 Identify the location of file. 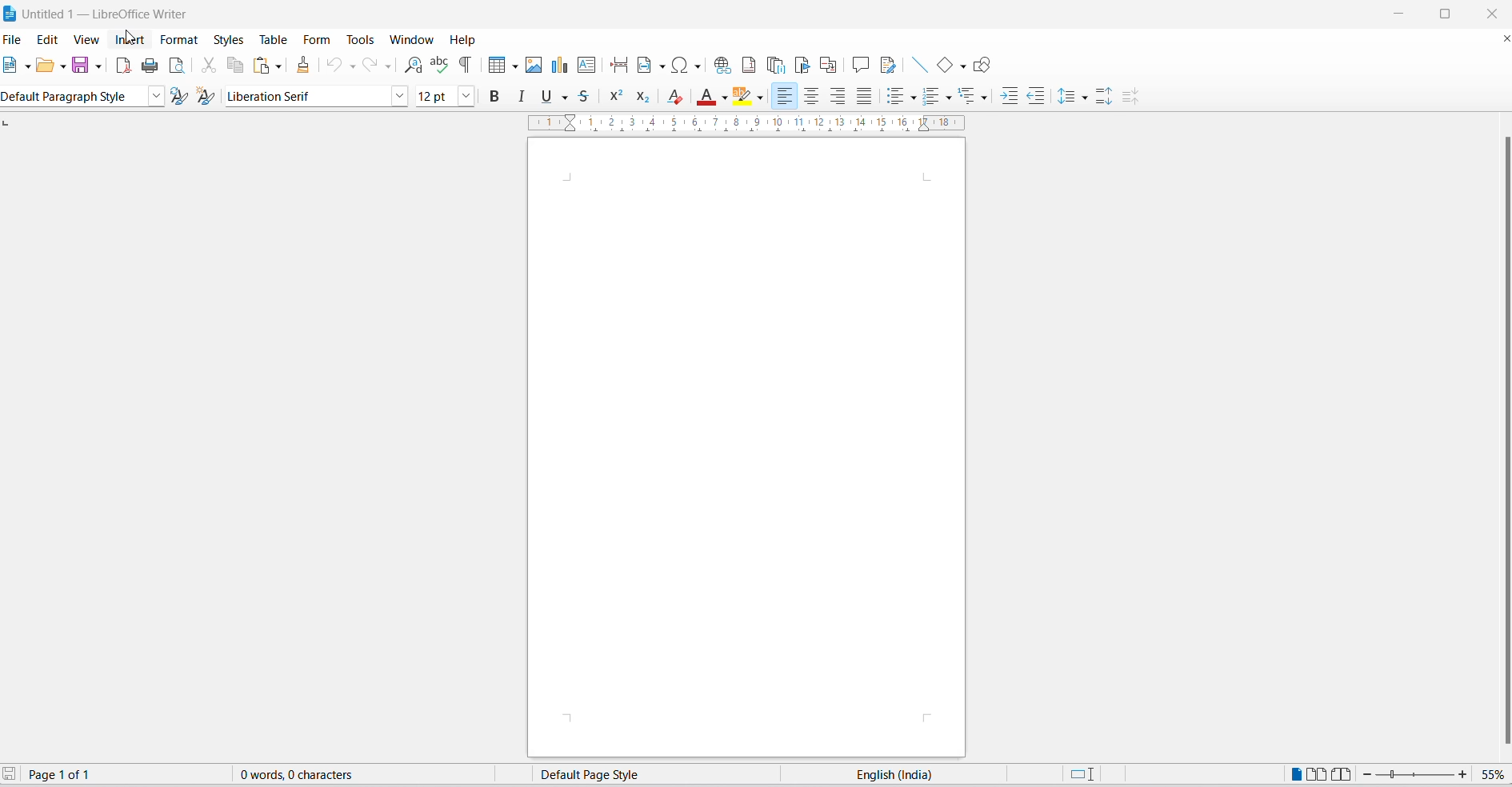
(14, 38).